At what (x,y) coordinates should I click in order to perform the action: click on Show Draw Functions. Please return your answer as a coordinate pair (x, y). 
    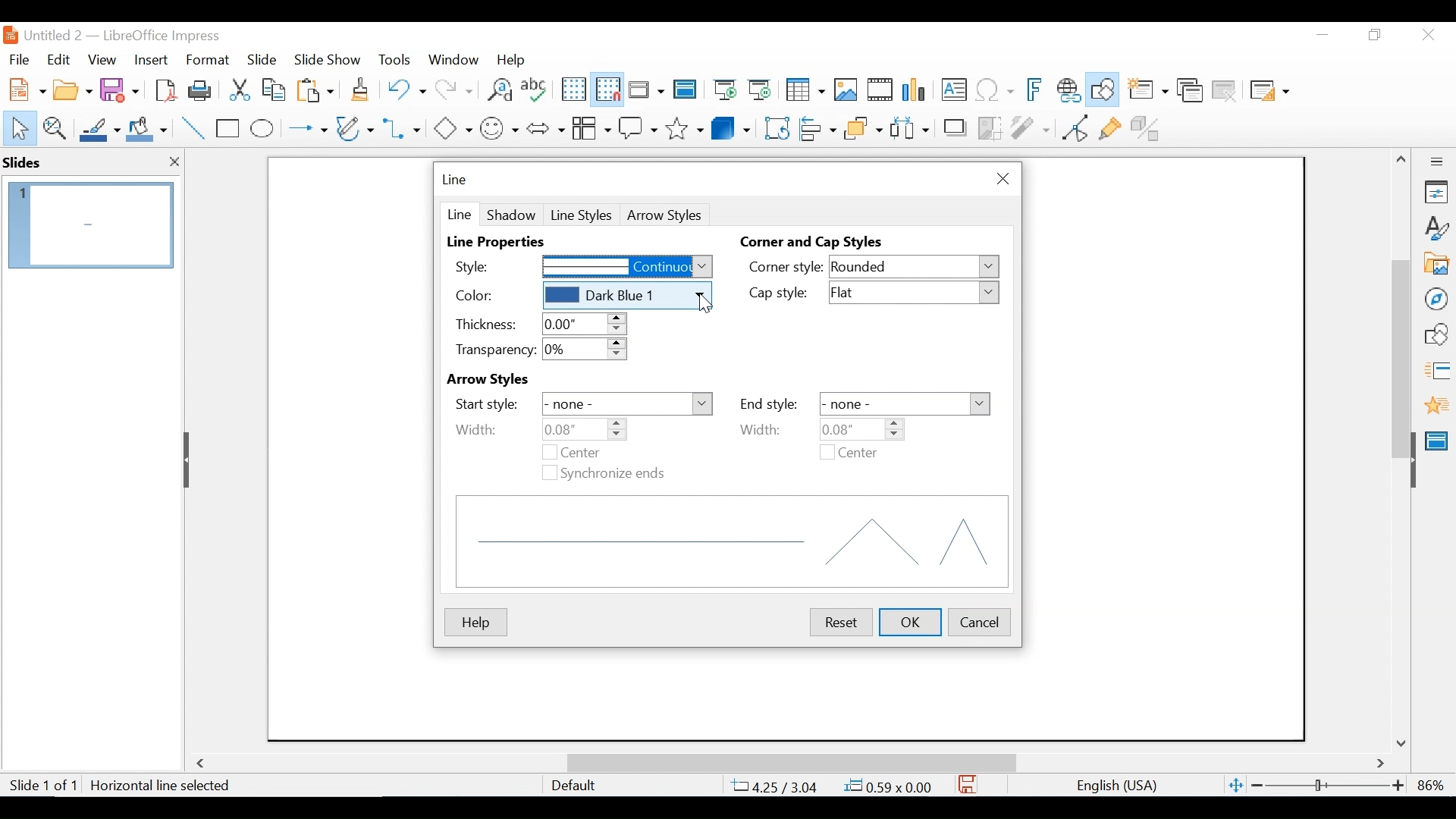
    Looking at the image, I should click on (1104, 90).